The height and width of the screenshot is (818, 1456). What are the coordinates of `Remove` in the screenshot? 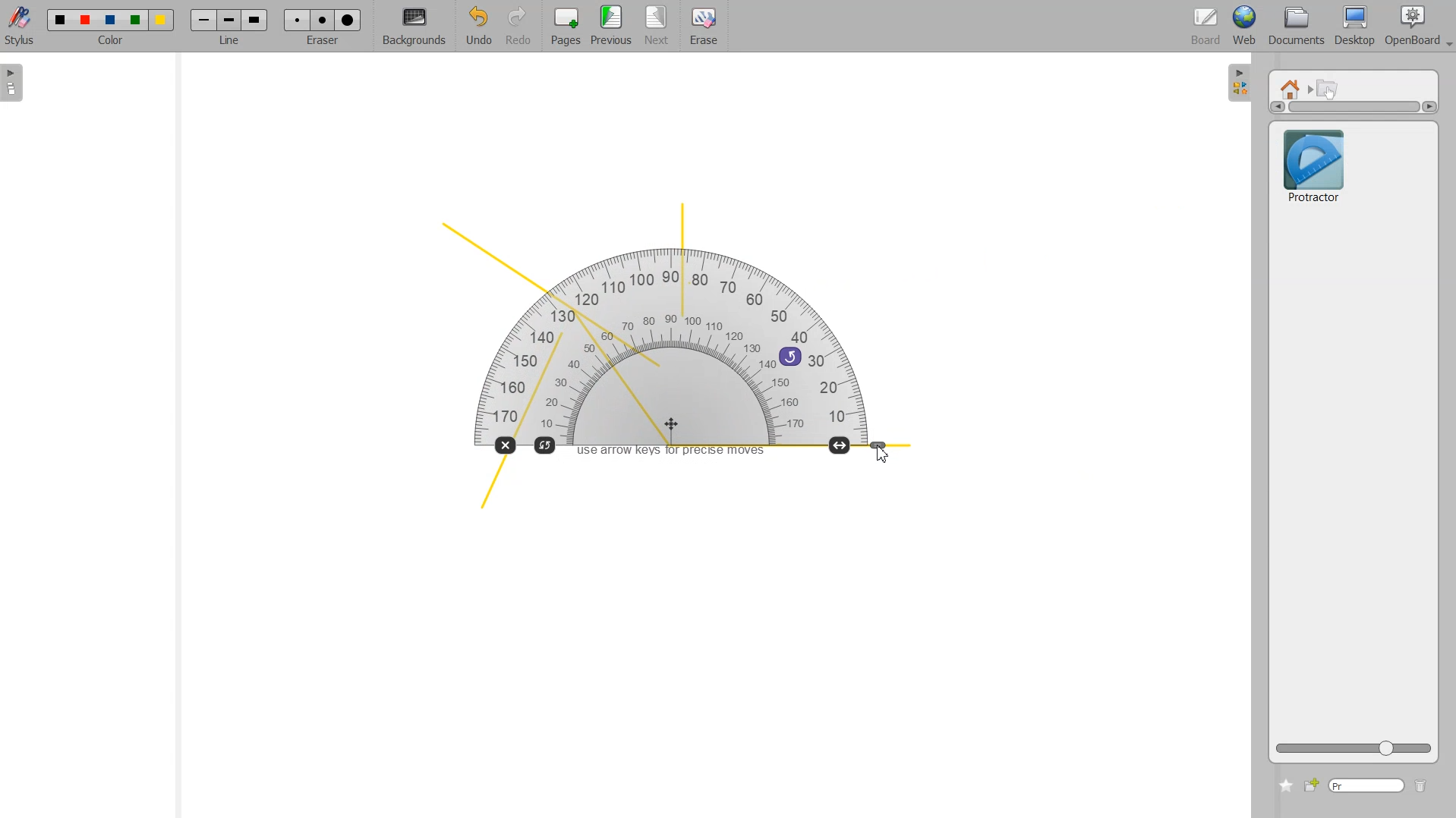 It's located at (504, 445).